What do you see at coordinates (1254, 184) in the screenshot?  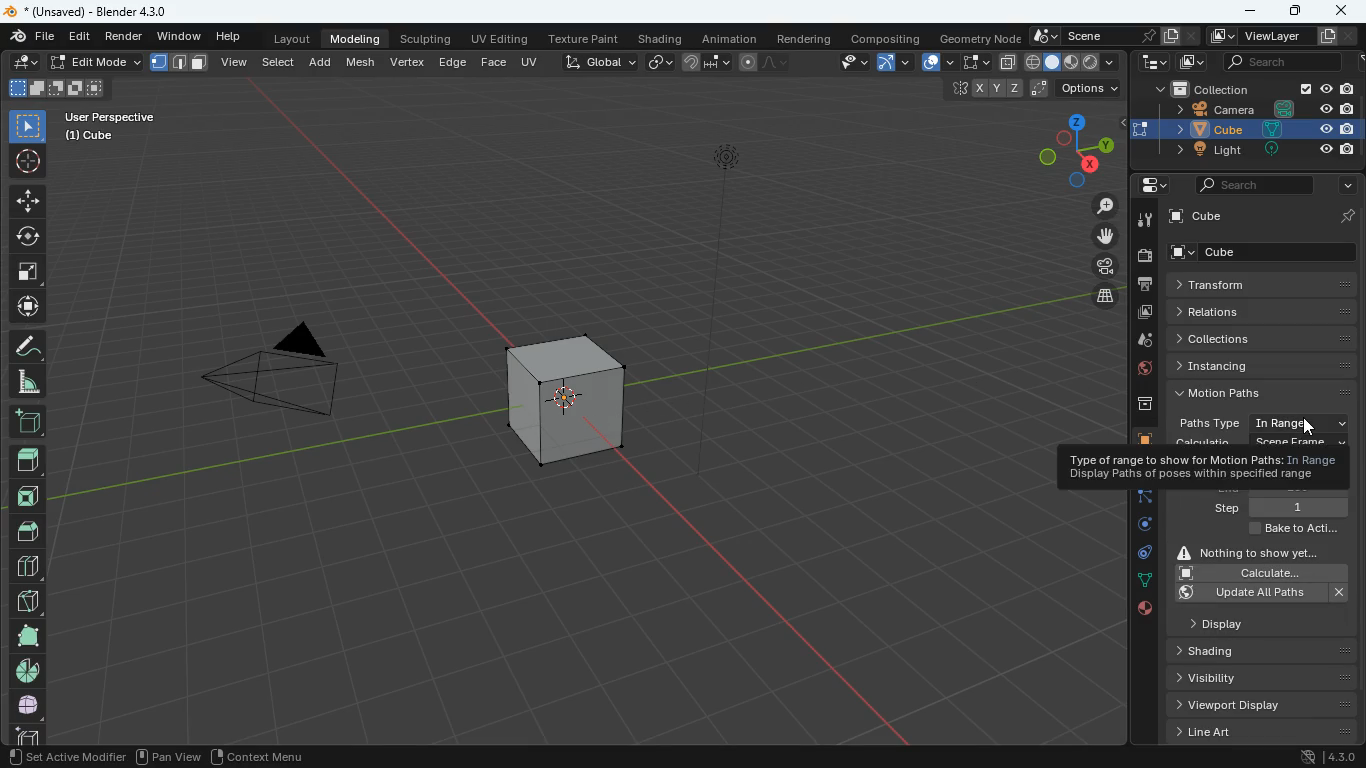 I see `search` at bounding box center [1254, 184].